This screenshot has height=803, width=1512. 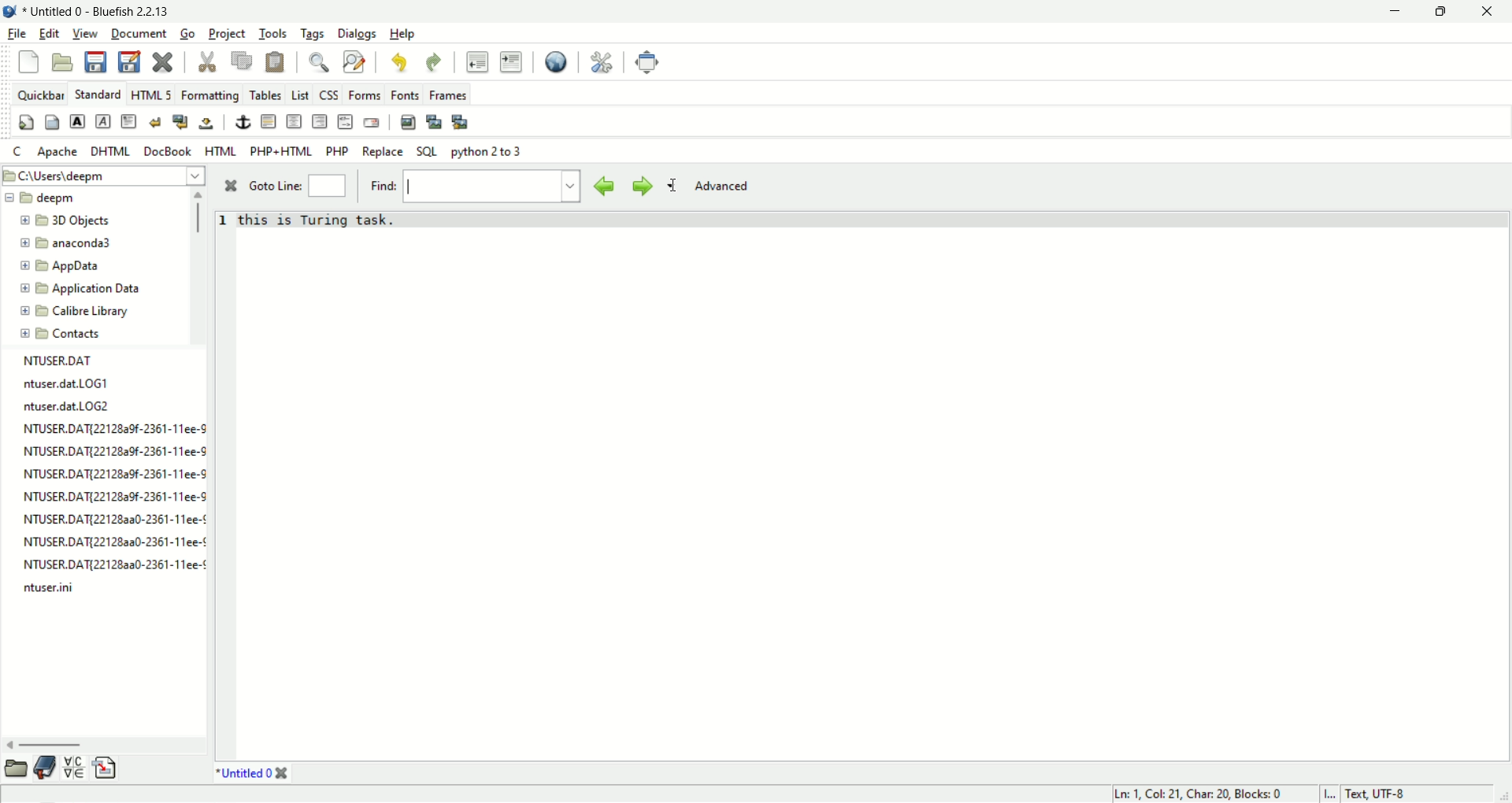 What do you see at coordinates (266, 95) in the screenshot?
I see `tables` at bounding box center [266, 95].